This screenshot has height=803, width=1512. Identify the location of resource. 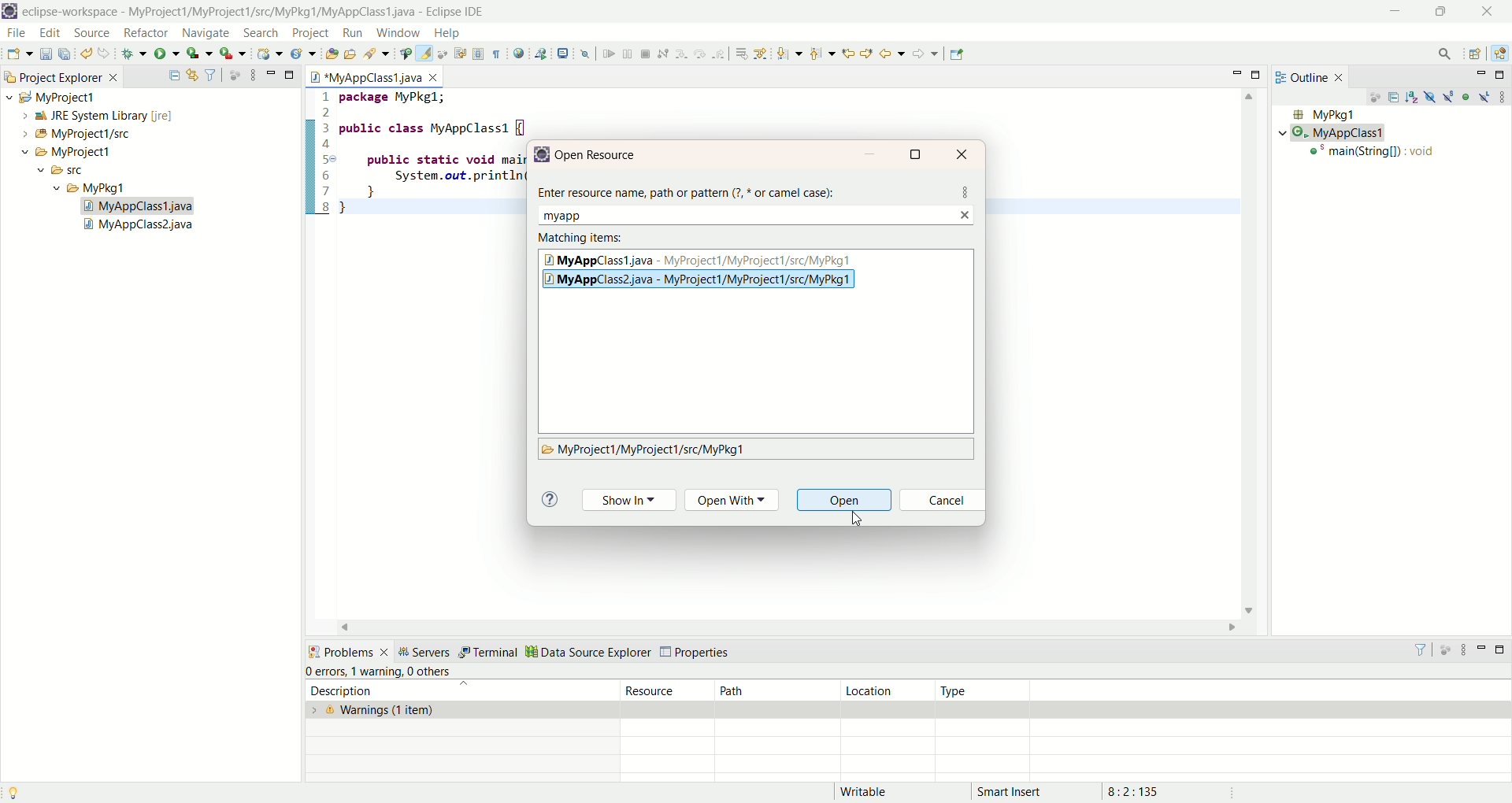
(669, 690).